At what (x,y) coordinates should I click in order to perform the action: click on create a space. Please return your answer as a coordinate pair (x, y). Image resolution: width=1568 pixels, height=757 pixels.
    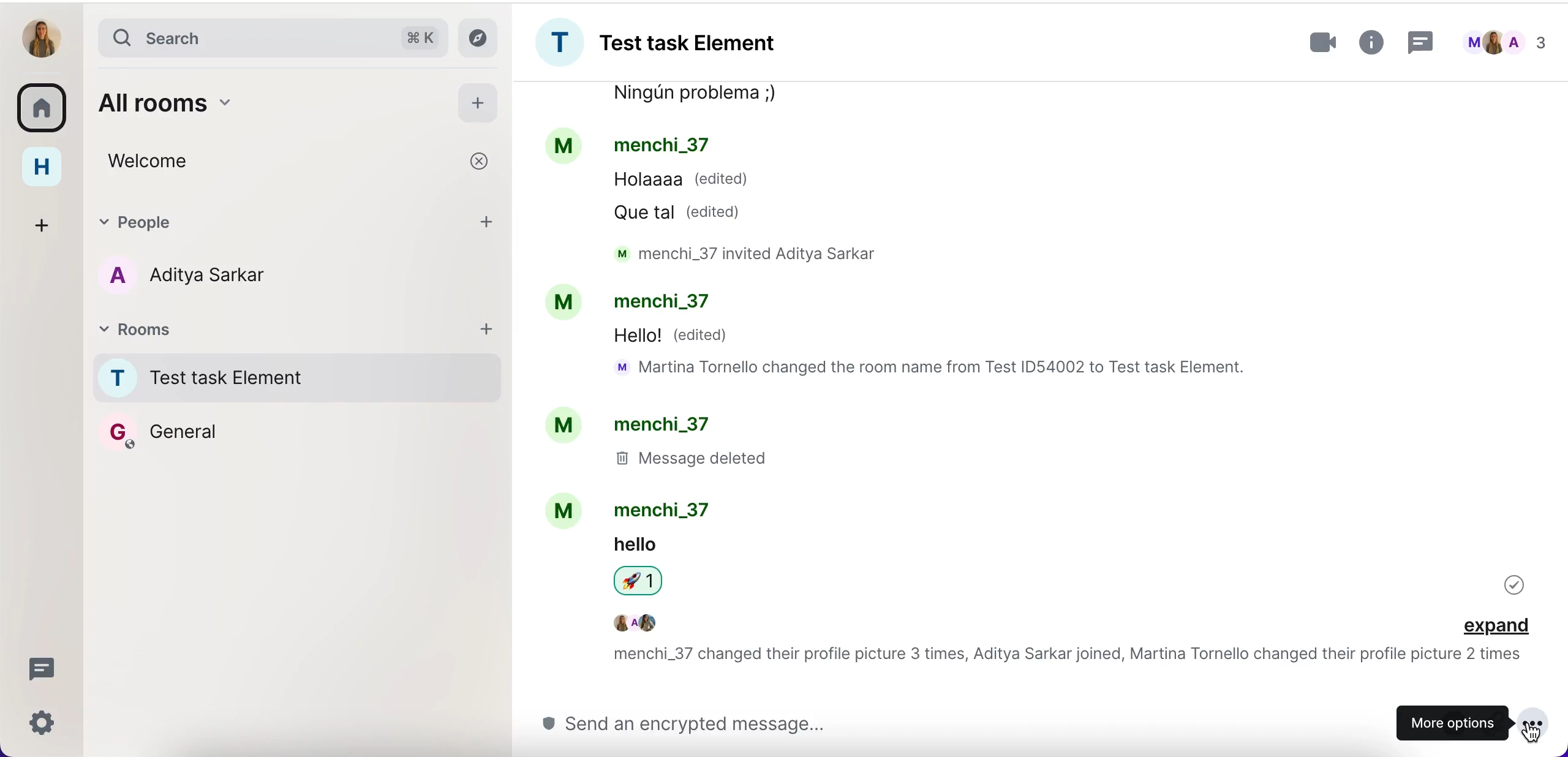
    Looking at the image, I should click on (42, 224).